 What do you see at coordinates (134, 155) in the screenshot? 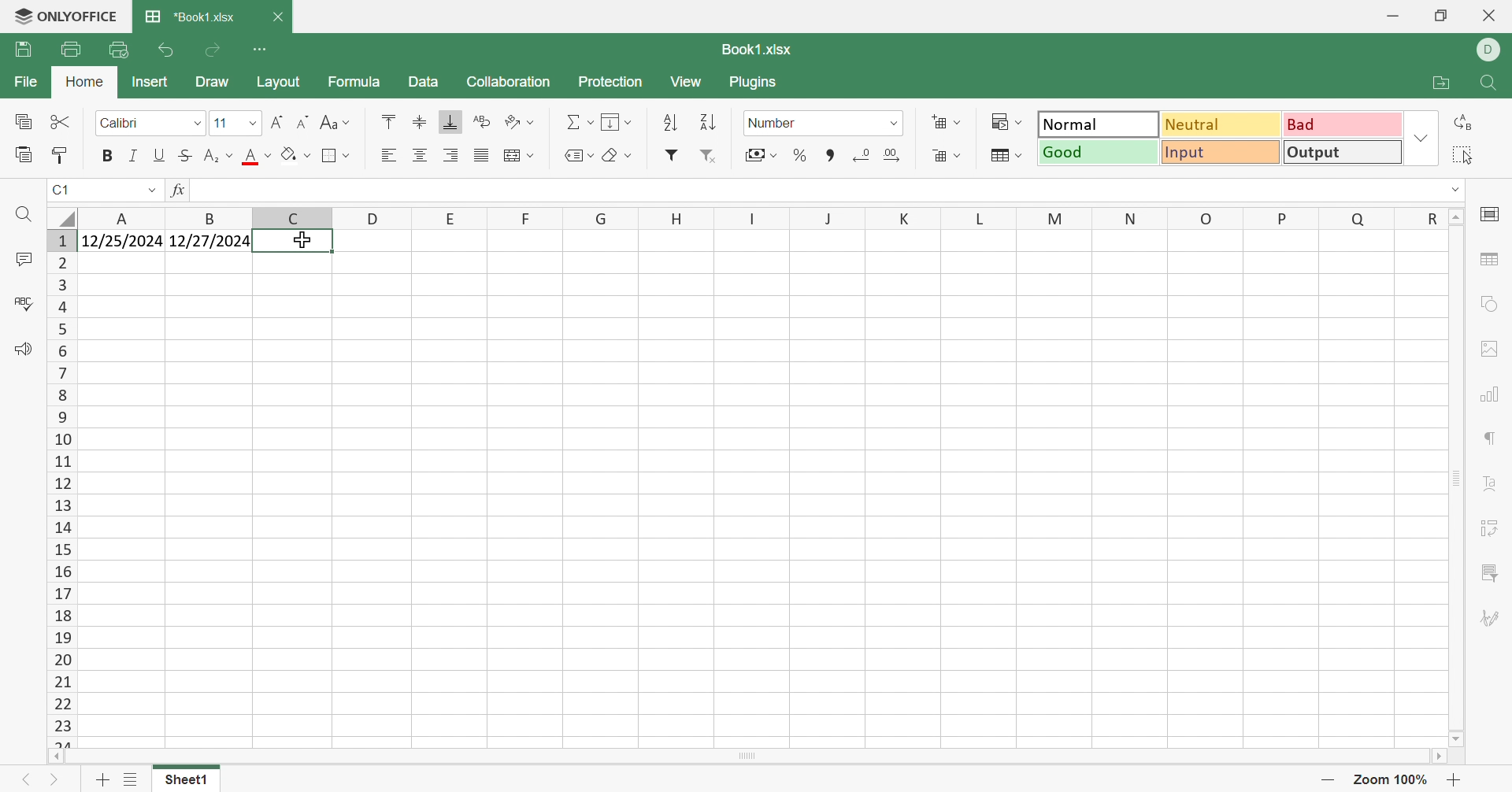
I see `Italic` at bounding box center [134, 155].